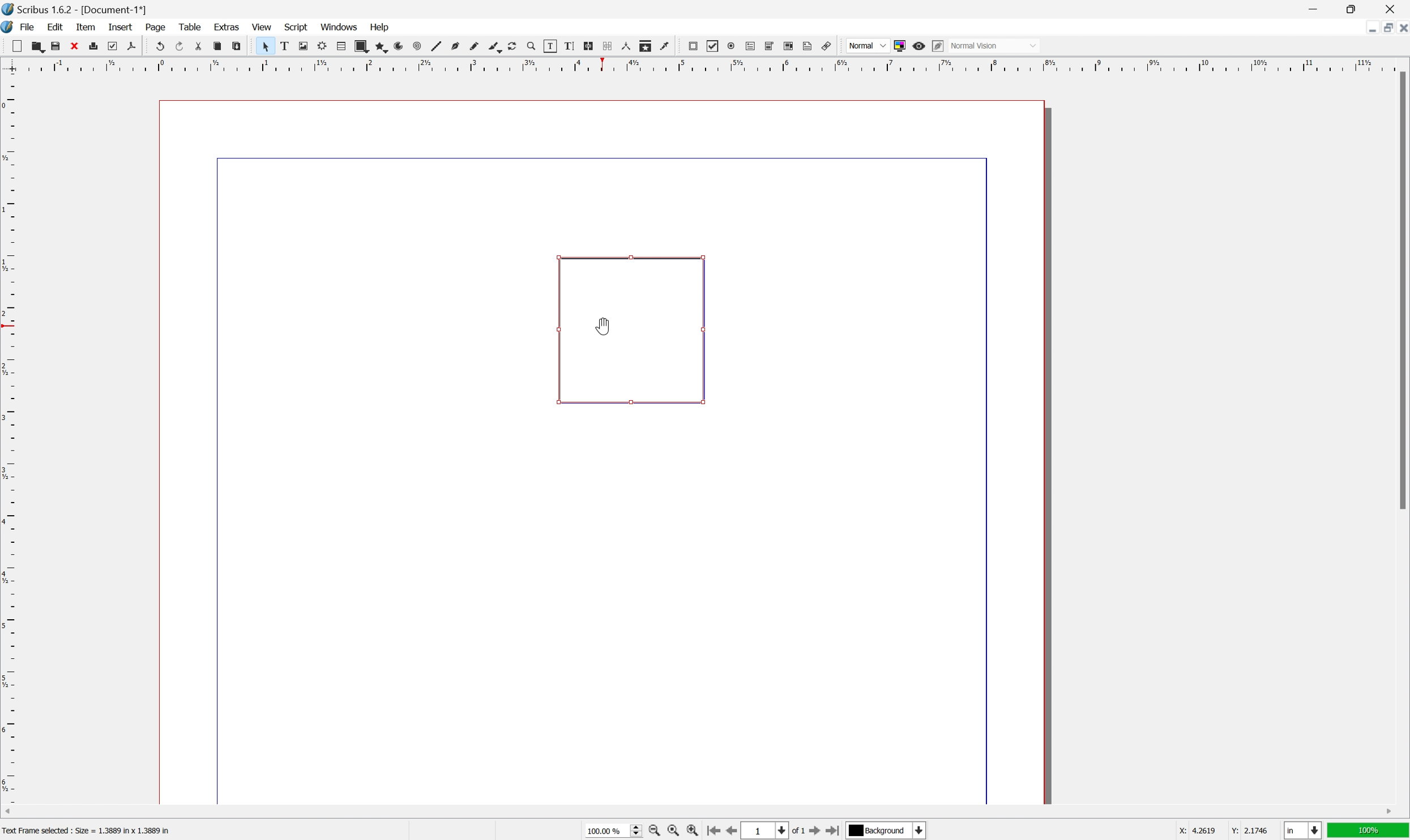 This screenshot has width=1410, height=840. Describe the element at coordinates (75, 9) in the screenshot. I see `Application name` at that location.